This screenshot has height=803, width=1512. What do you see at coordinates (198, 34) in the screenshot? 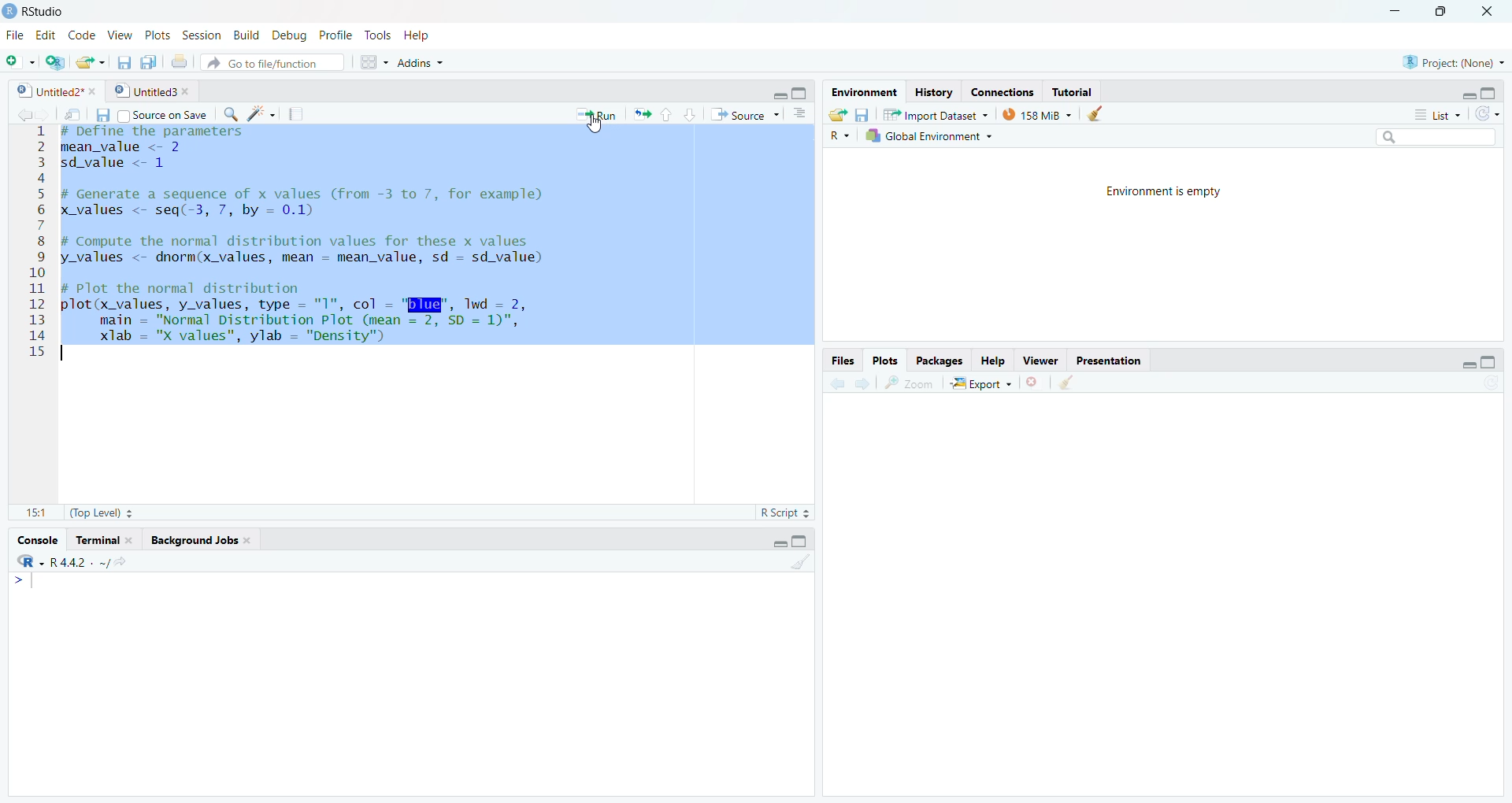
I see `Session` at bounding box center [198, 34].